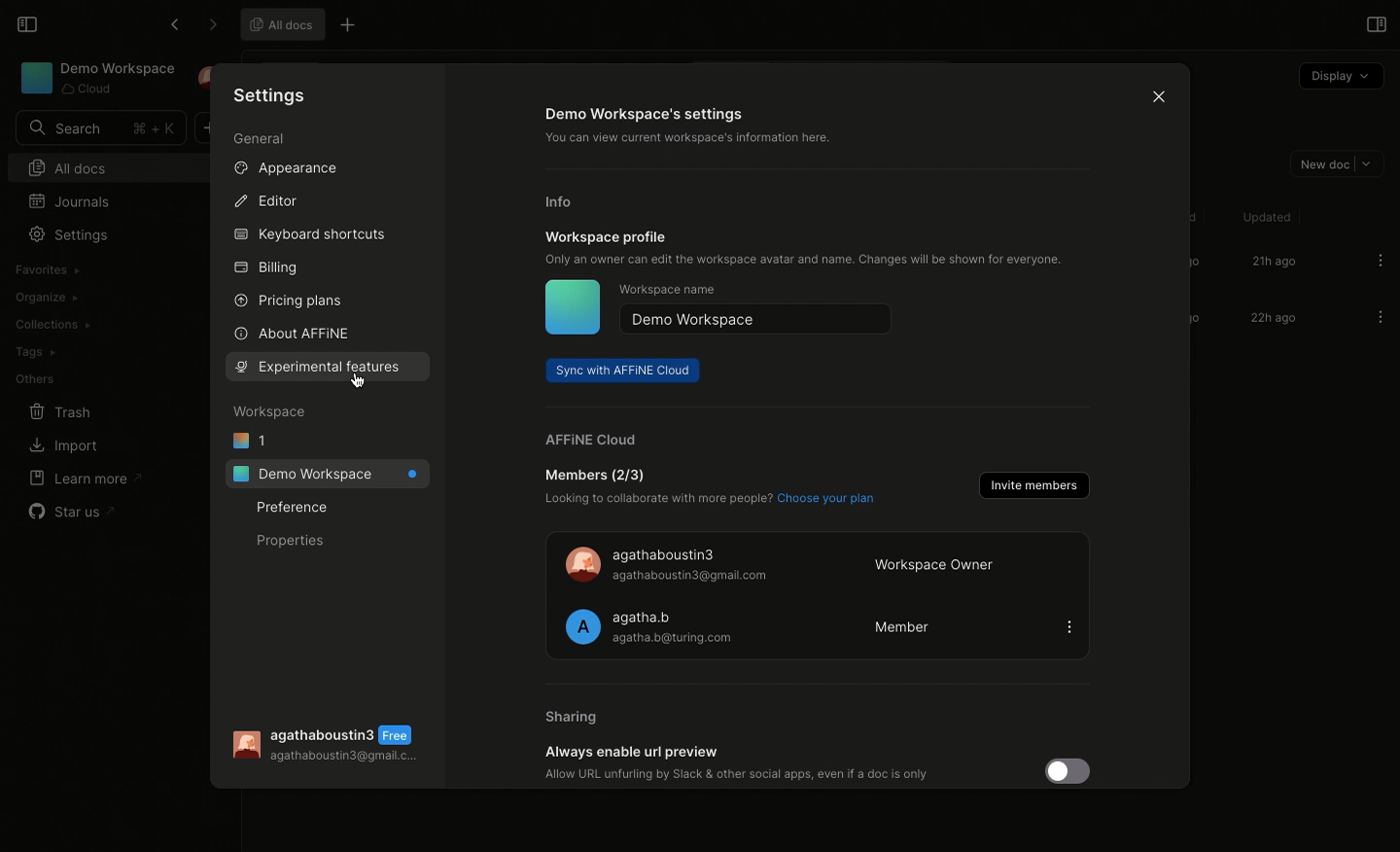  I want to click on Billing, so click(266, 270).